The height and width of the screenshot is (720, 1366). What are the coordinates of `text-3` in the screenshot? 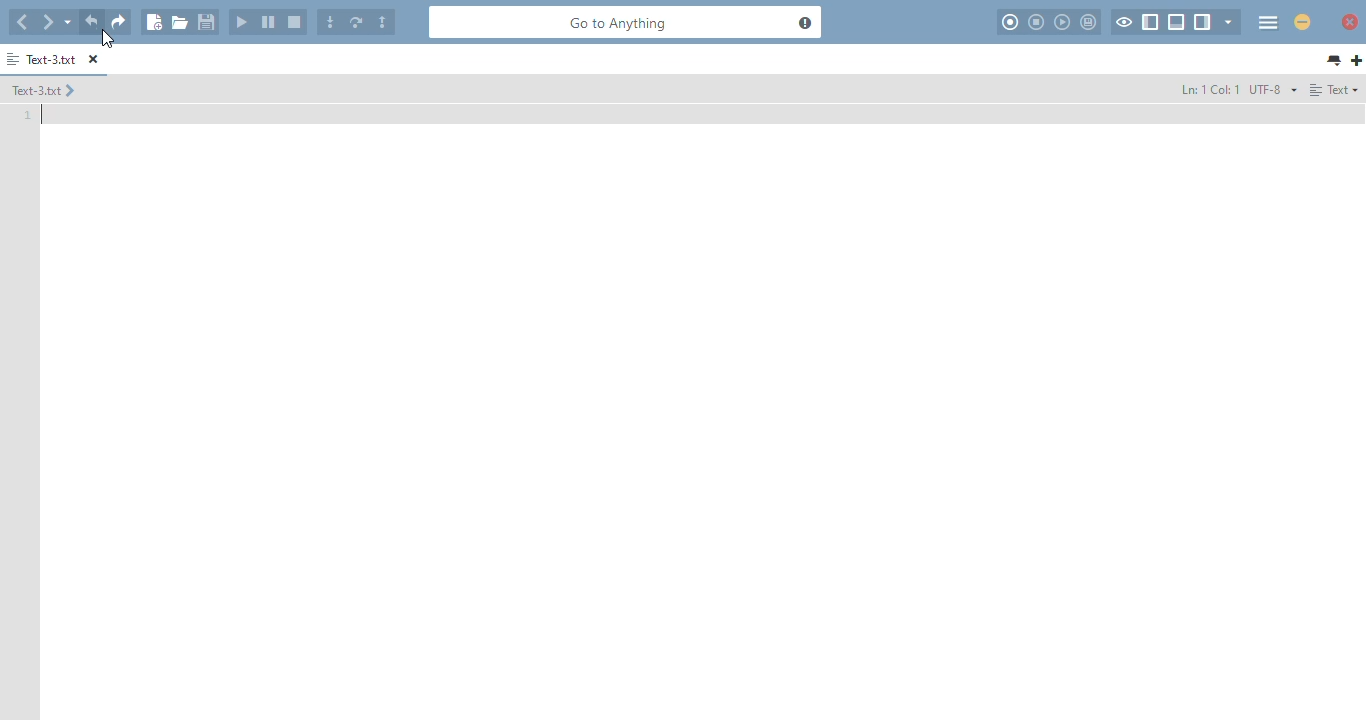 It's located at (44, 90).